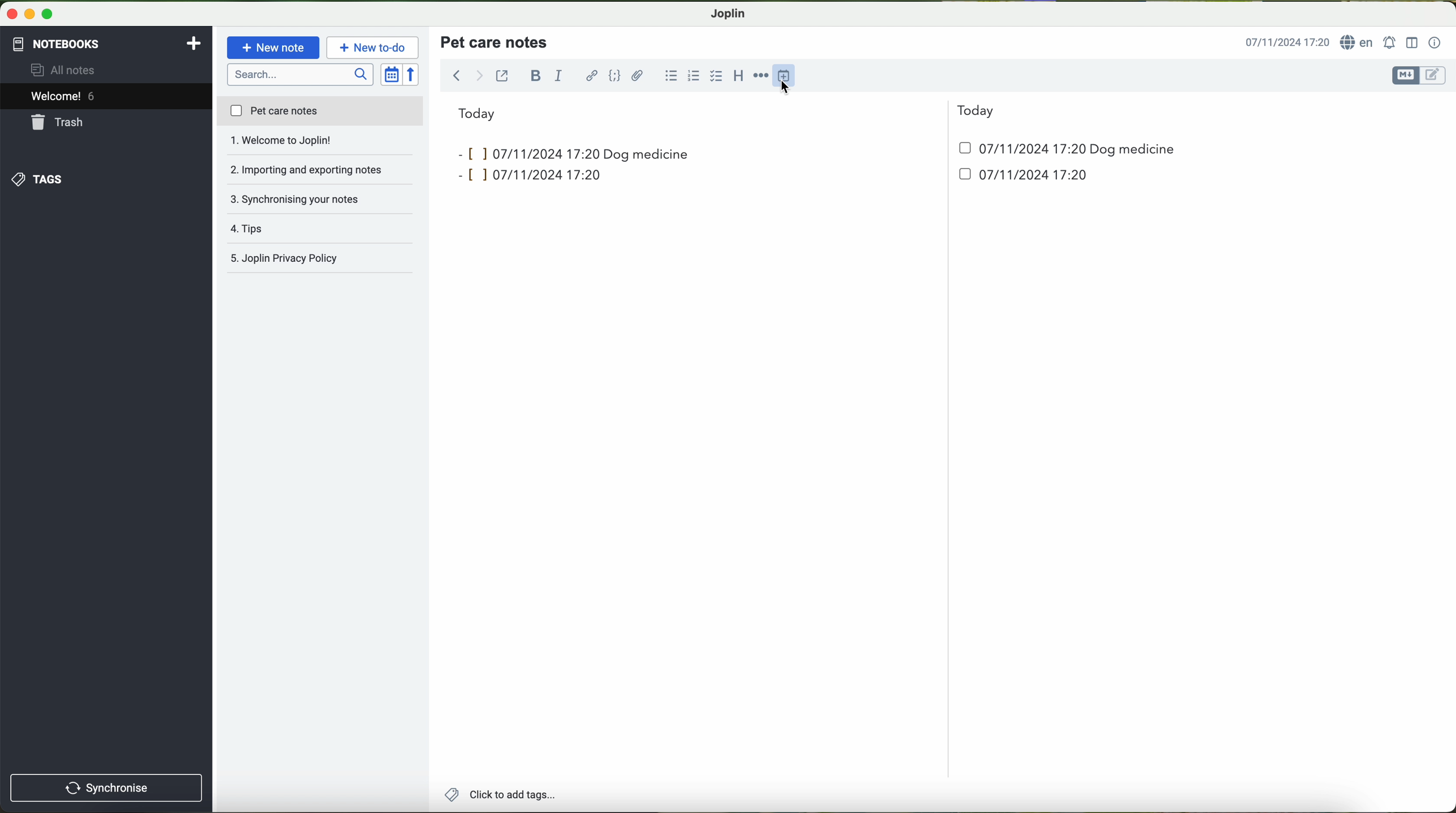  I want to click on trash, so click(58, 124).